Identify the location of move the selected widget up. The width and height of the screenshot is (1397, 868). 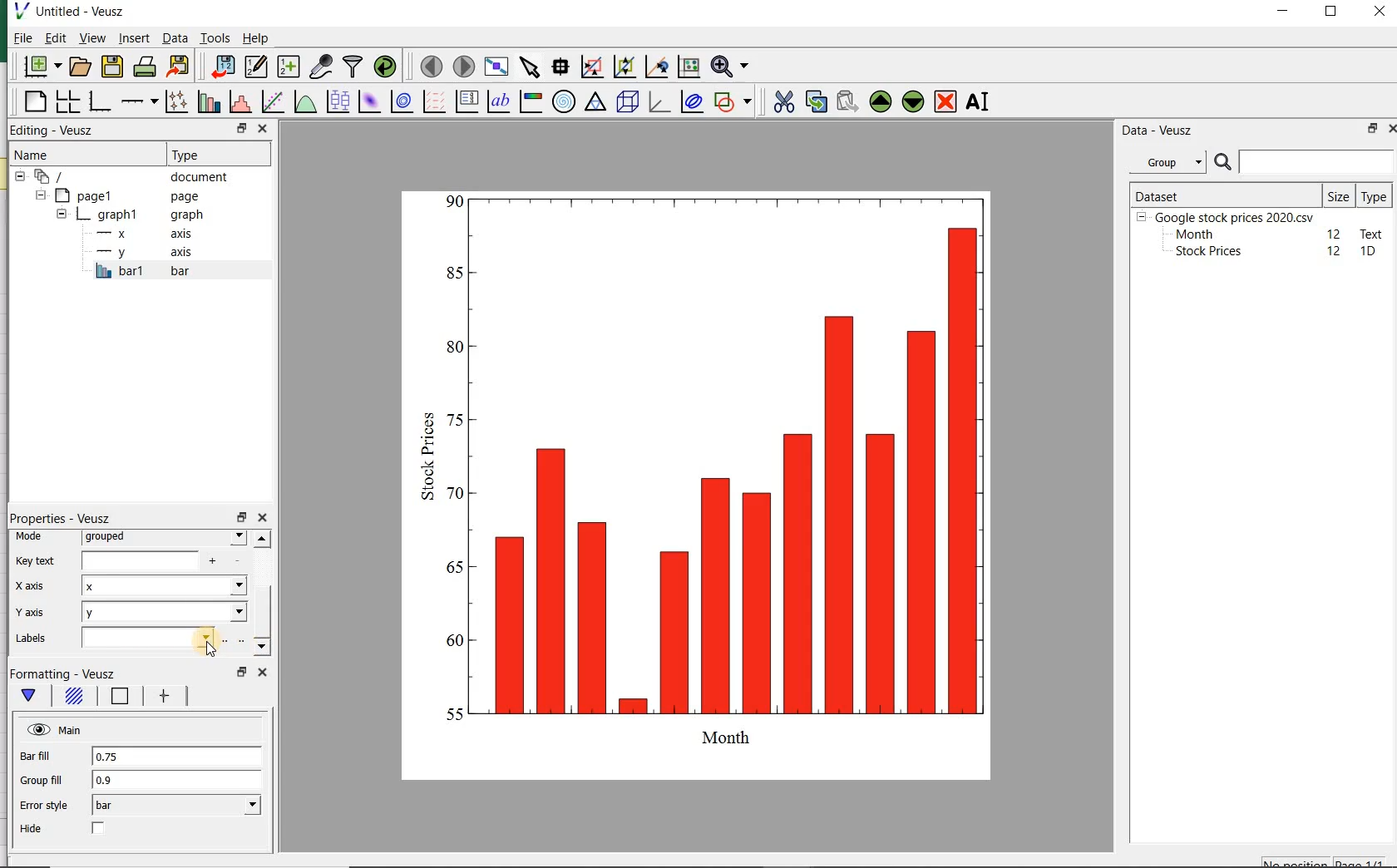
(881, 101).